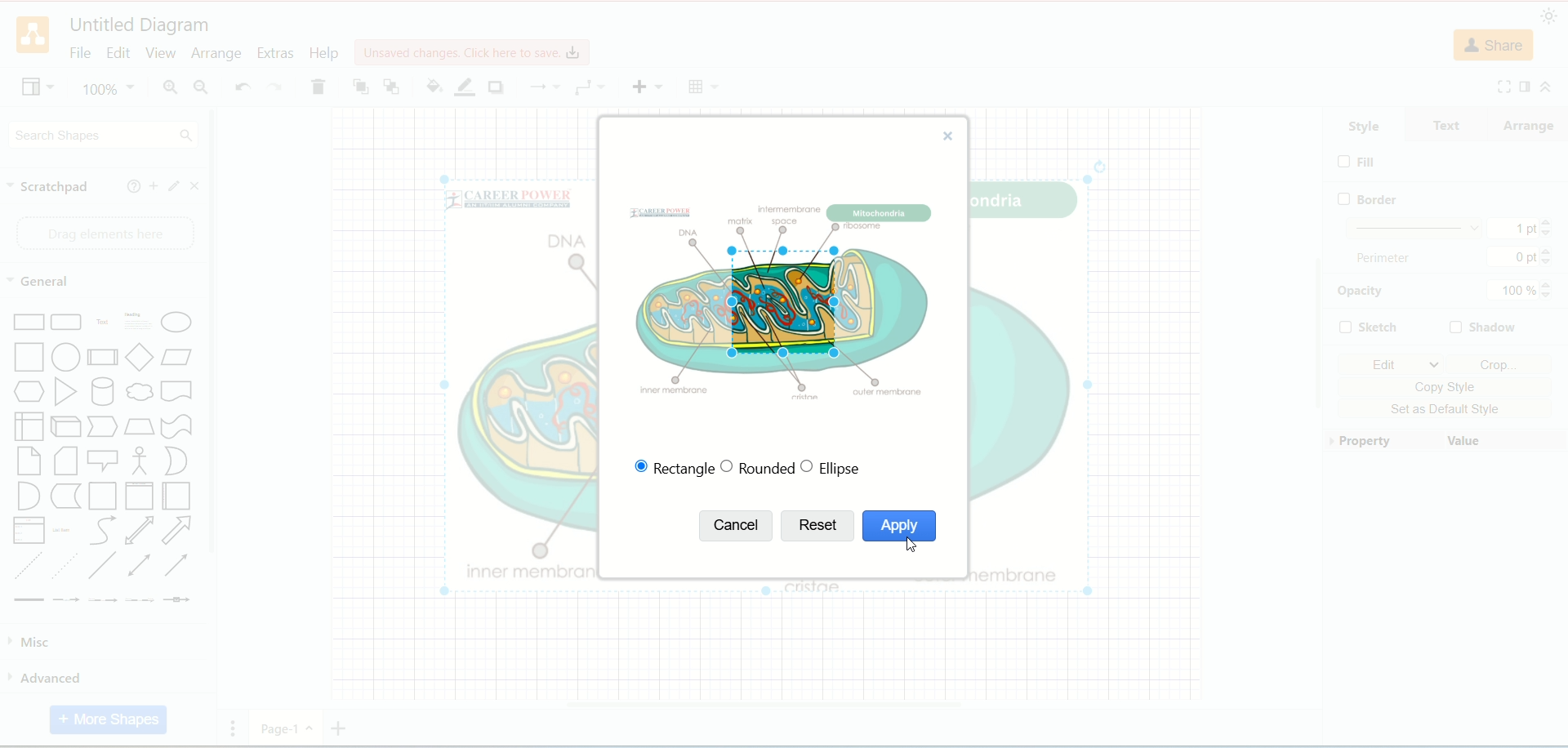 This screenshot has width=1568, height=748. I want to click on Internal Document, so click(29, 427).